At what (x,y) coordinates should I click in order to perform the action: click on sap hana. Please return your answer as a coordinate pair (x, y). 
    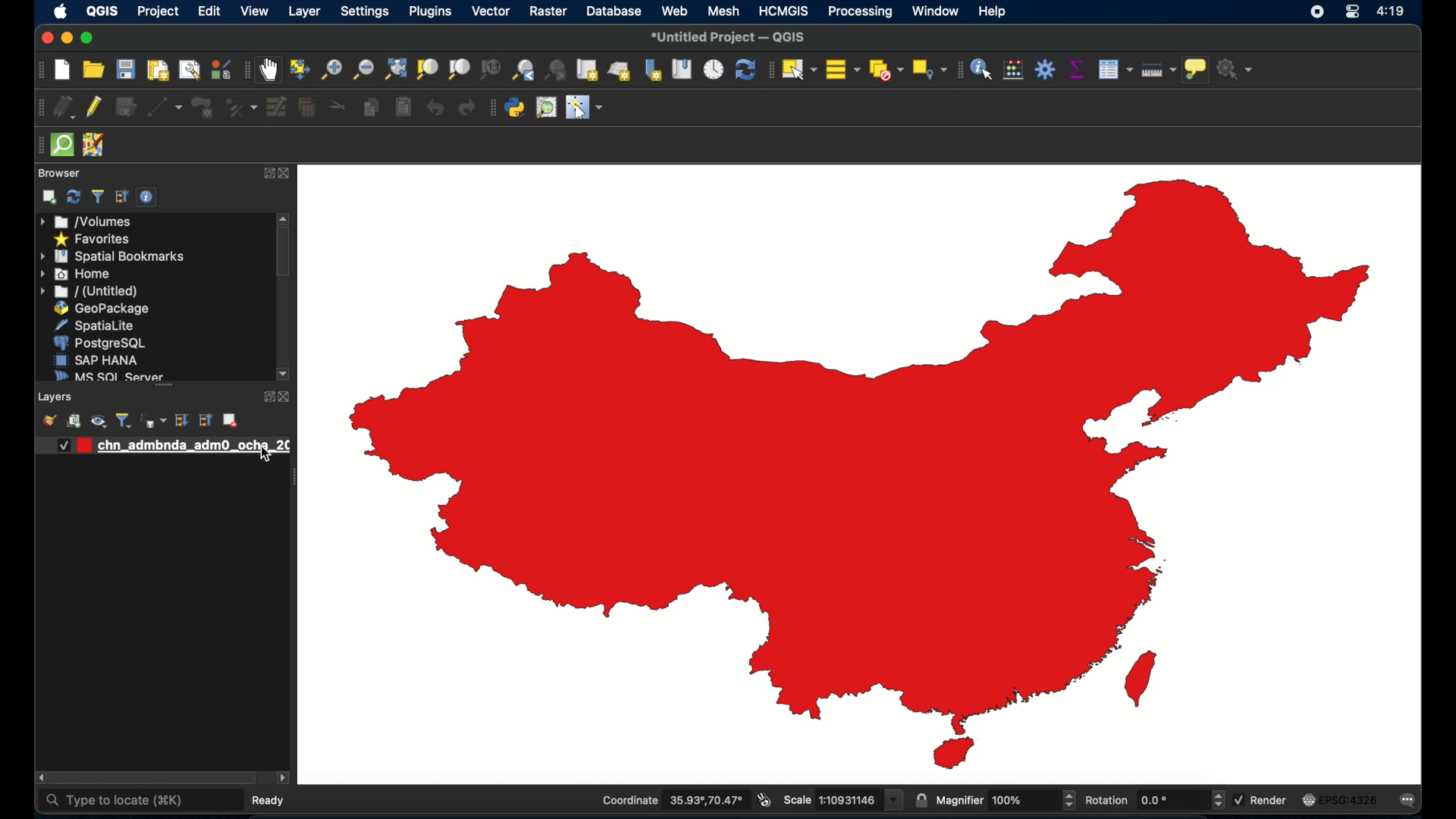
    Looking at the image, I should click on (96, 359).